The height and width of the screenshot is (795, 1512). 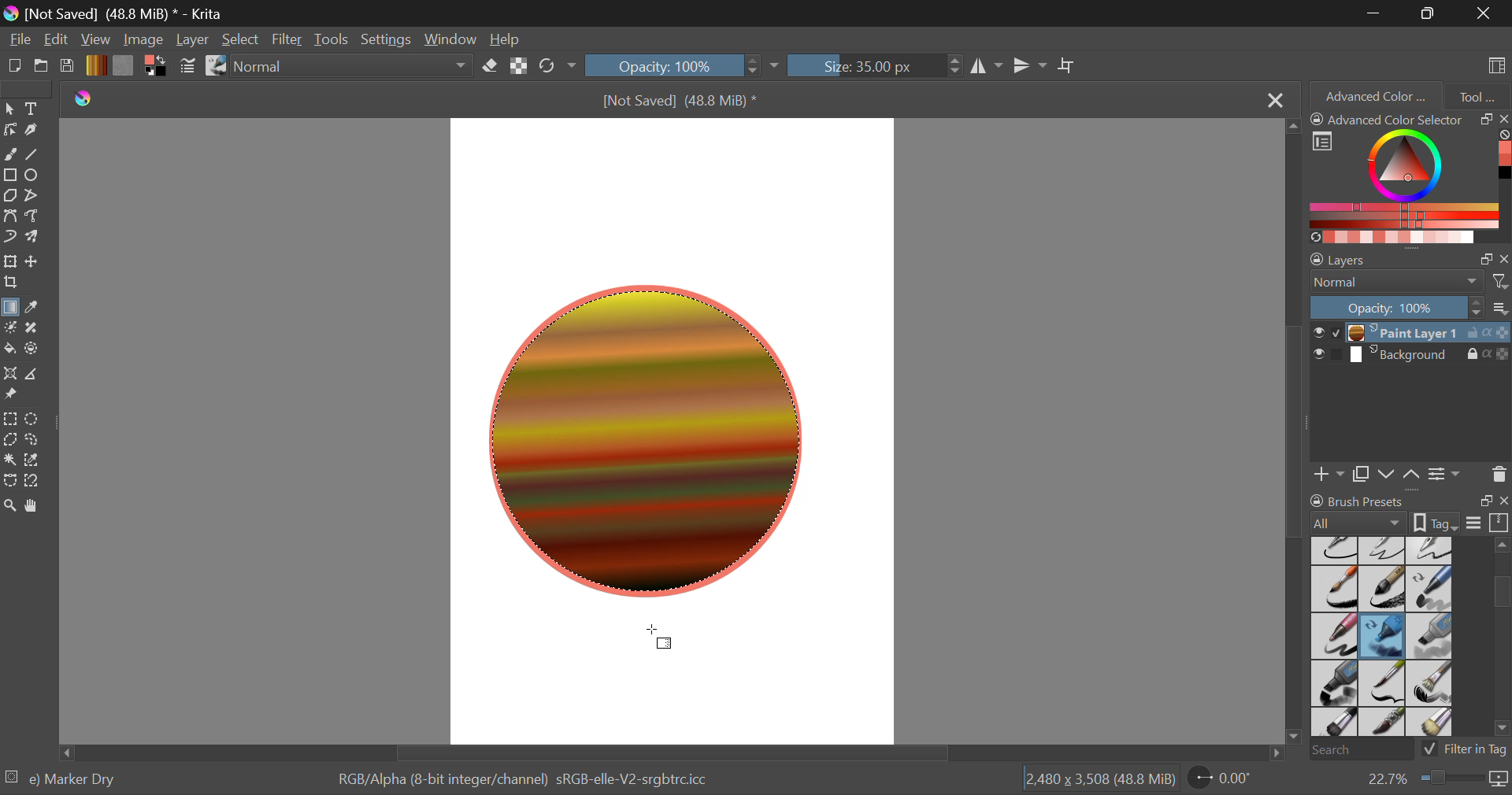 What do you see at coordinates (1444, 473) in the screenshot?
I see `Settings` at bounding box center [1444, 473].